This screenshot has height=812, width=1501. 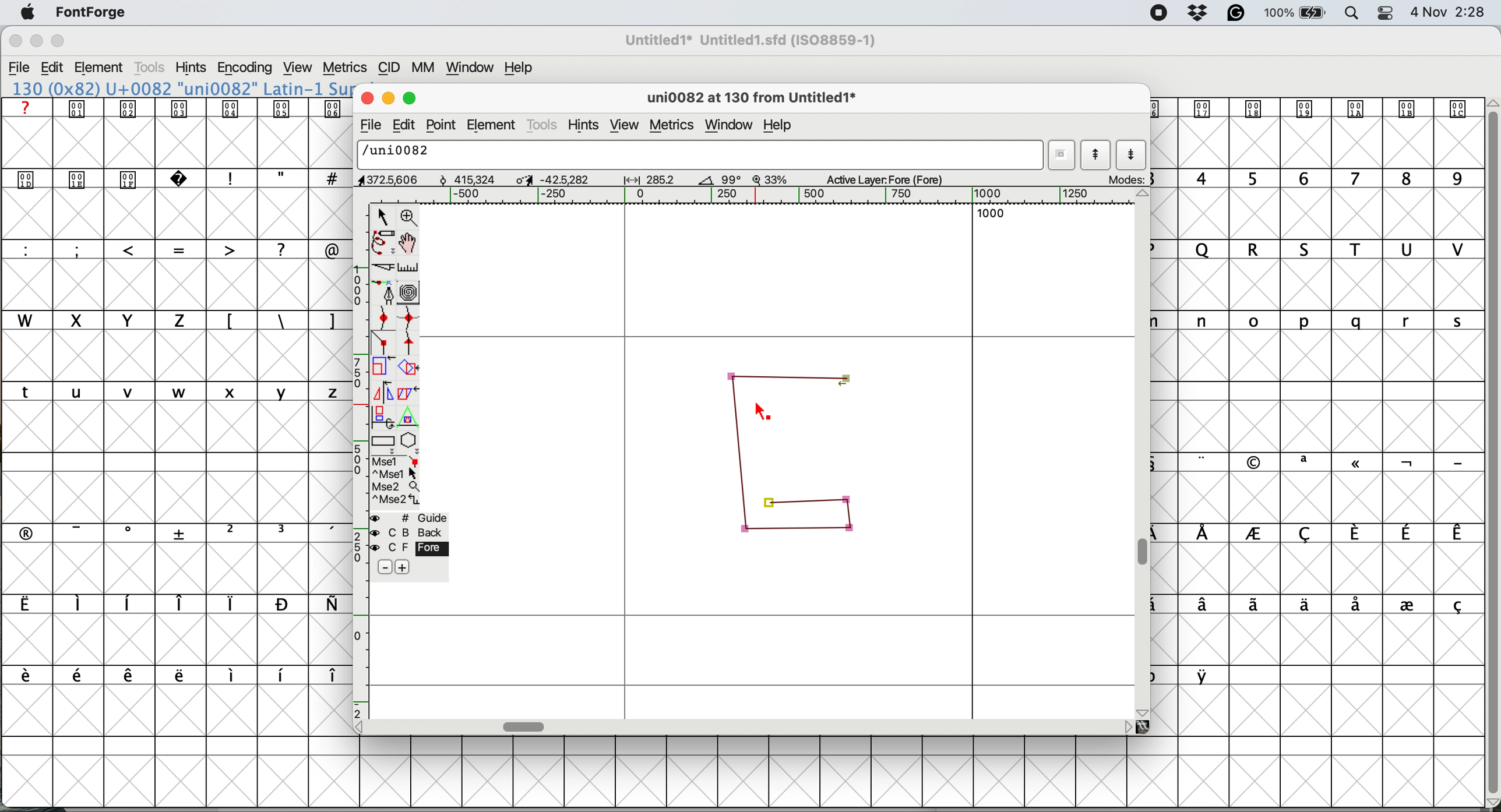 I want to click on file, so click(x=20, y=68).